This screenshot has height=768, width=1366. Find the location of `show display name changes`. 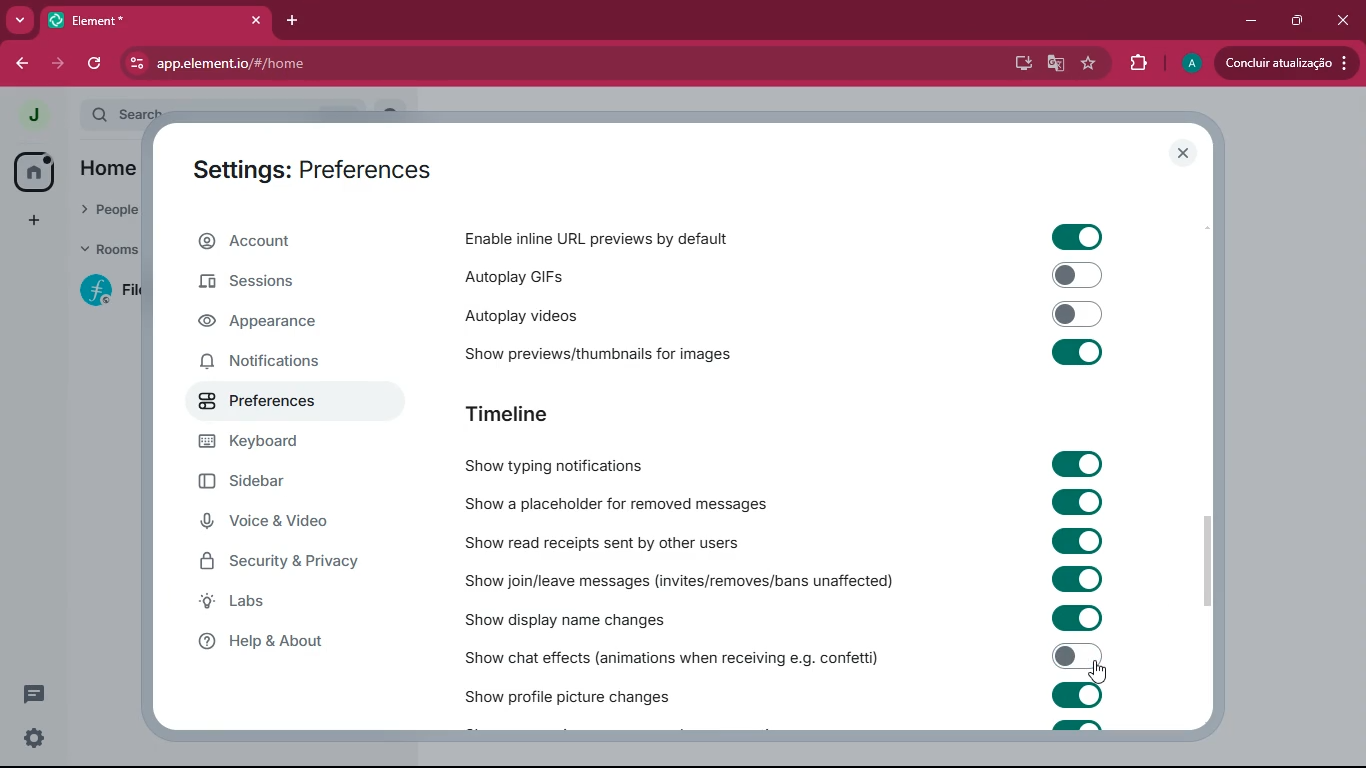

show display name changes is located at coordinates (587, 619).